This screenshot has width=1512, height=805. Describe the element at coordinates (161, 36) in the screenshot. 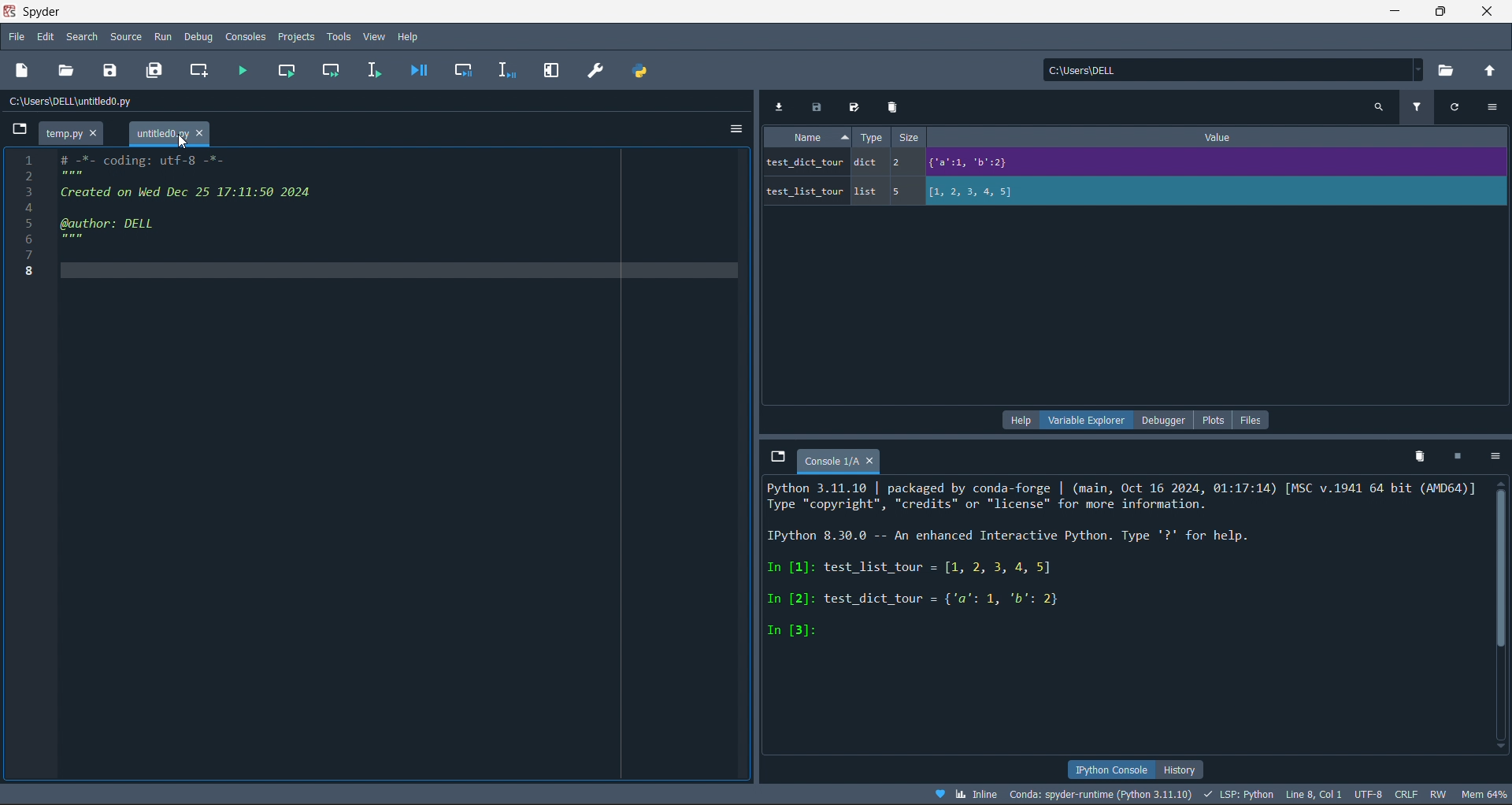

I see `run` at that location.